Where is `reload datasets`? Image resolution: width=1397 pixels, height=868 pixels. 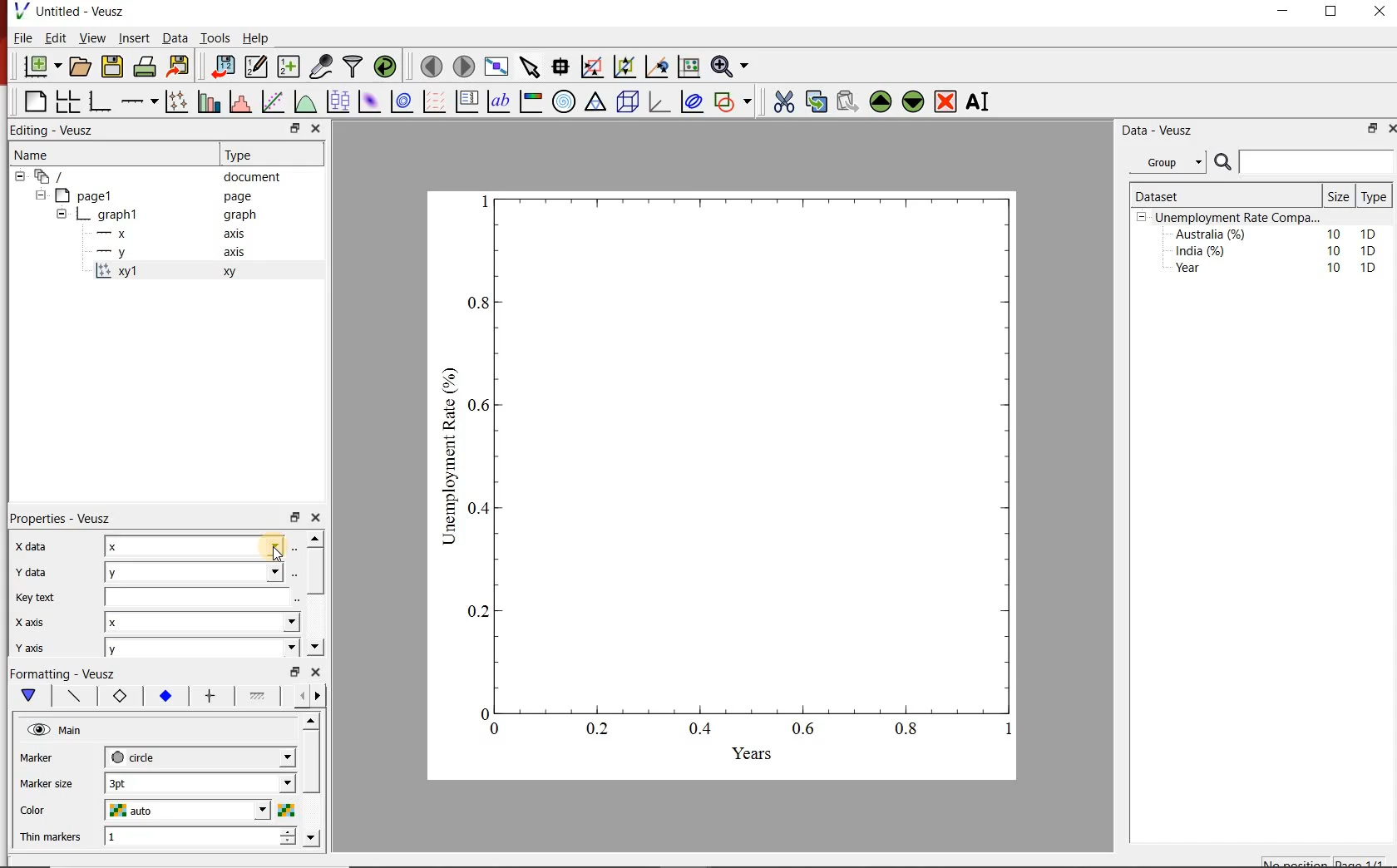
reload datasets is located at coordinates (386, 66).